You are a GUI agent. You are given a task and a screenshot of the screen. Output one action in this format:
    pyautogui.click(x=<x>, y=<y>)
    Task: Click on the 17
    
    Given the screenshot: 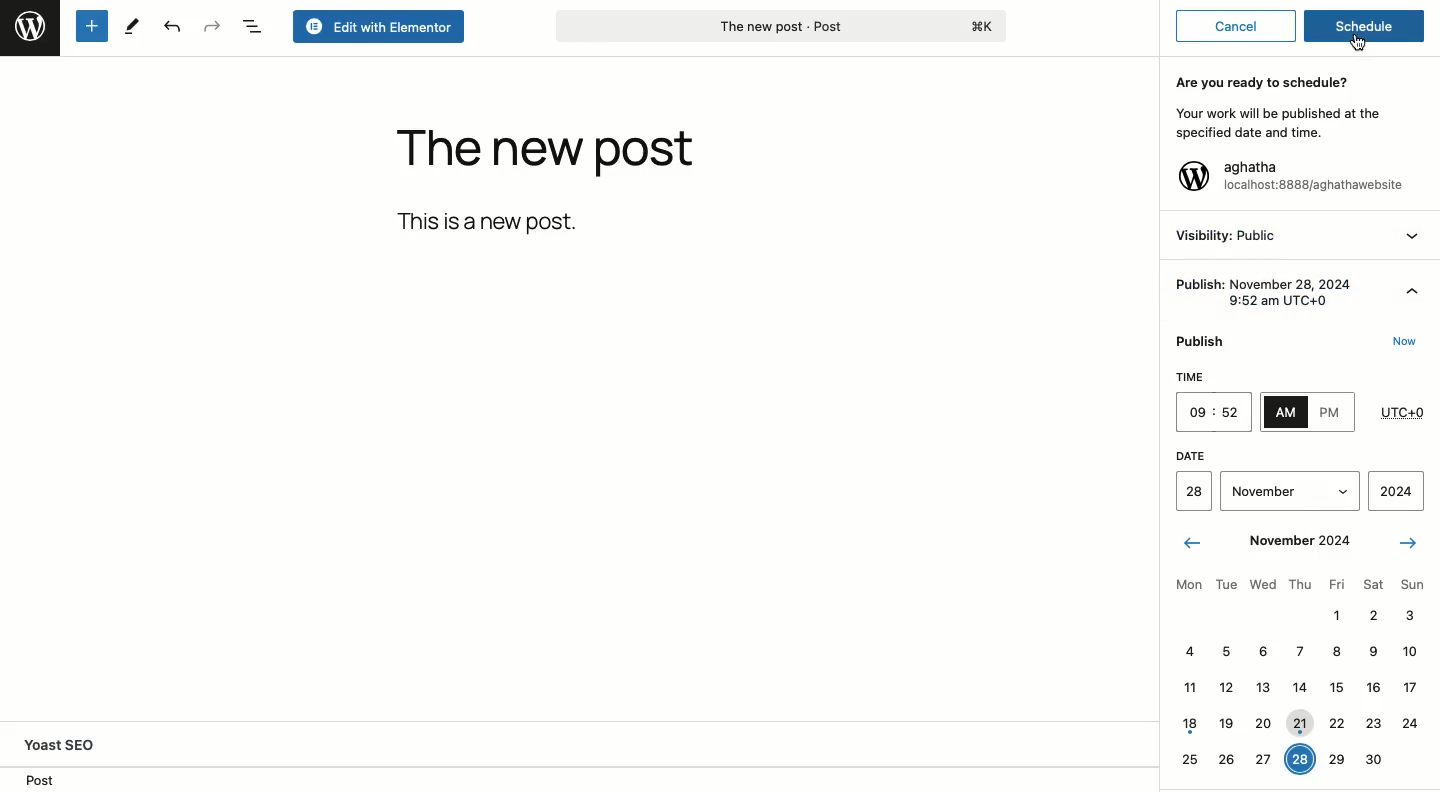 What is the action you would take?
    pyautogui.click(x=1409, y=686)
    